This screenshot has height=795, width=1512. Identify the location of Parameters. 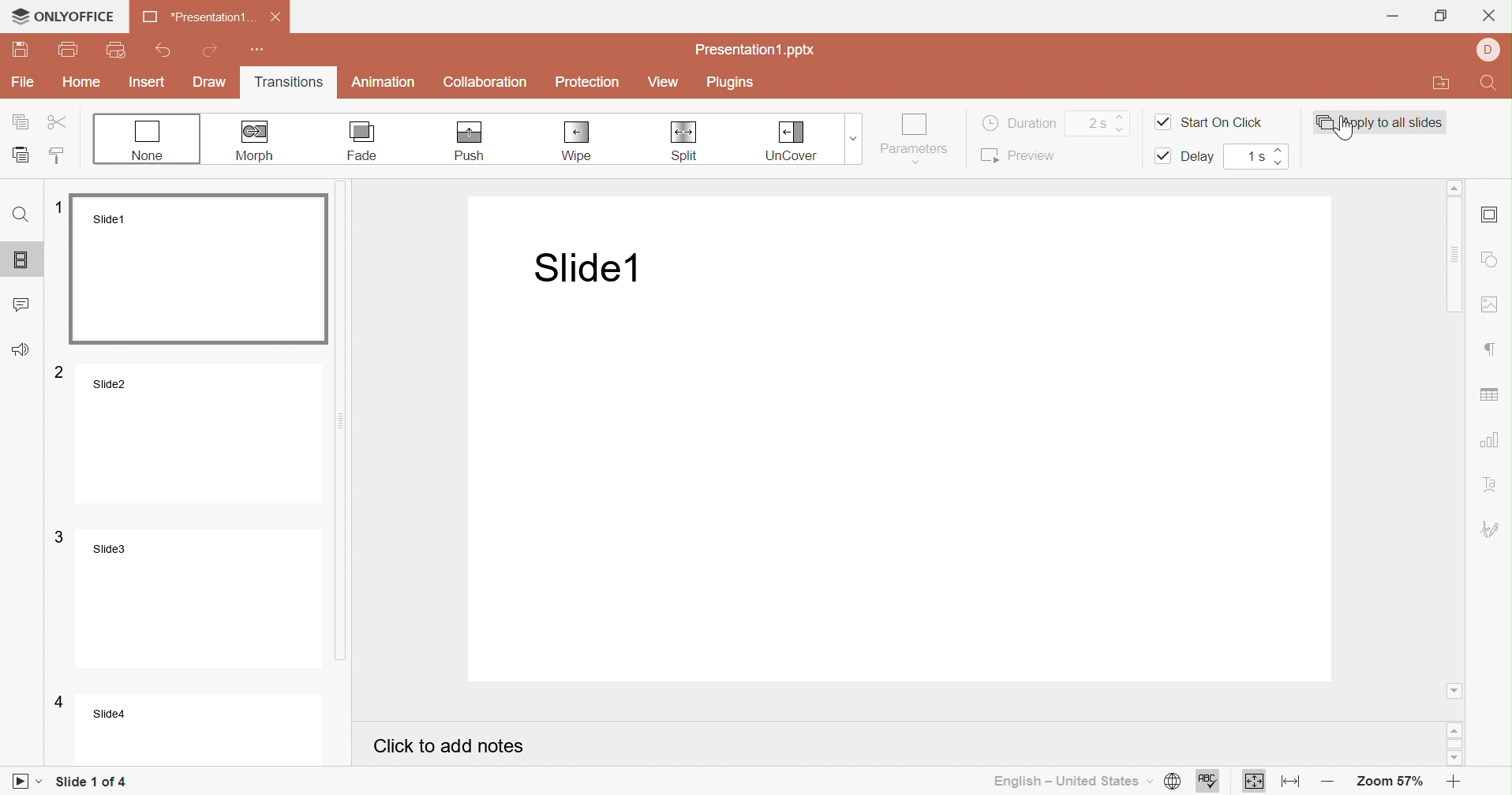
(914, 139).